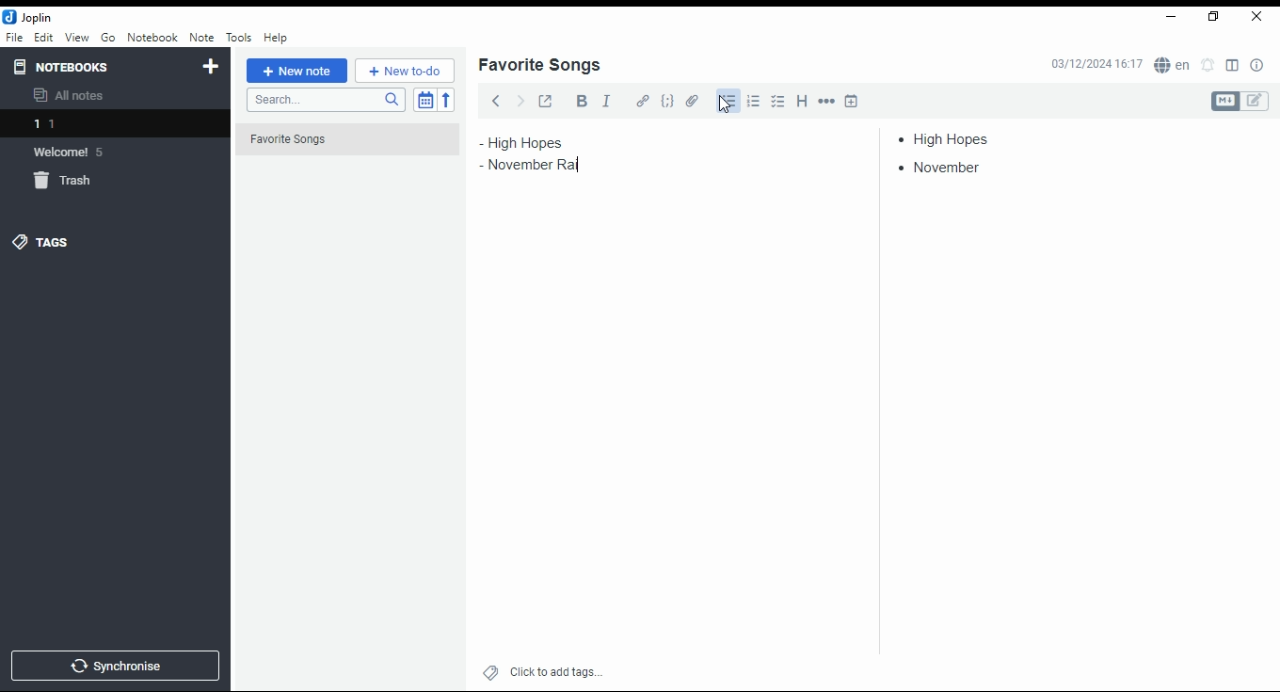  I want to click on note, so click(201, 37).